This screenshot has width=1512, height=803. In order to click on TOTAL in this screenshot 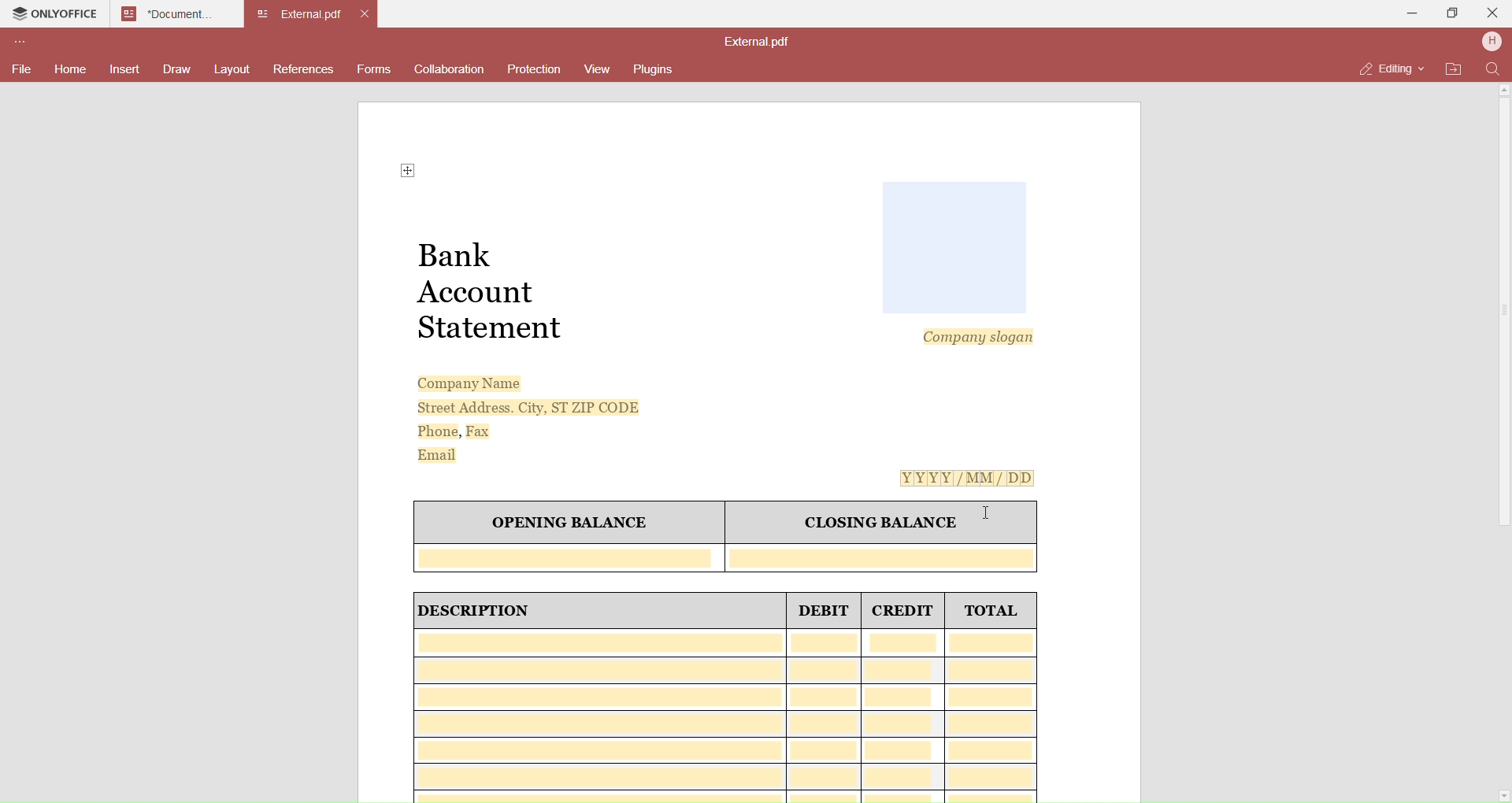, I will do `click(991, 613)`.